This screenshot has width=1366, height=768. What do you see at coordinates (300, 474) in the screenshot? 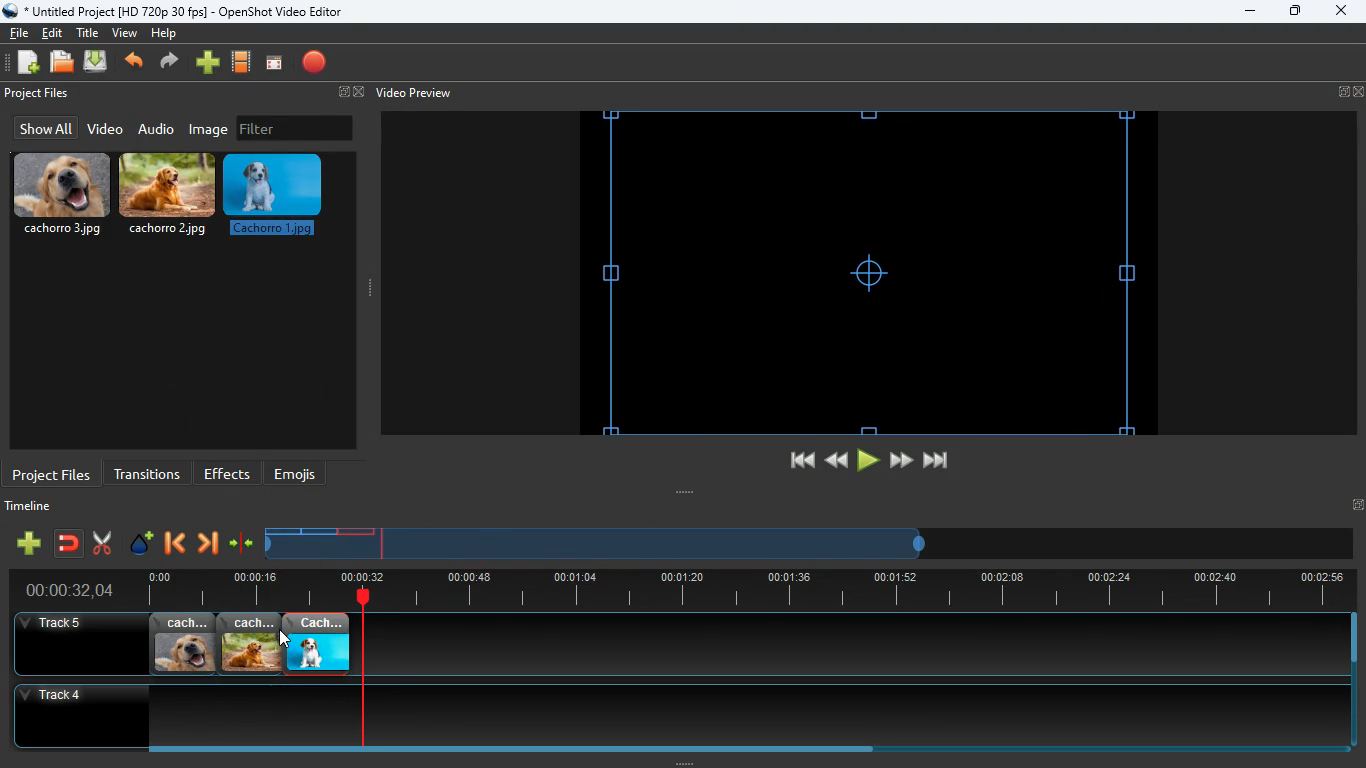
I see `emojis` at bounding box center [300, 474].